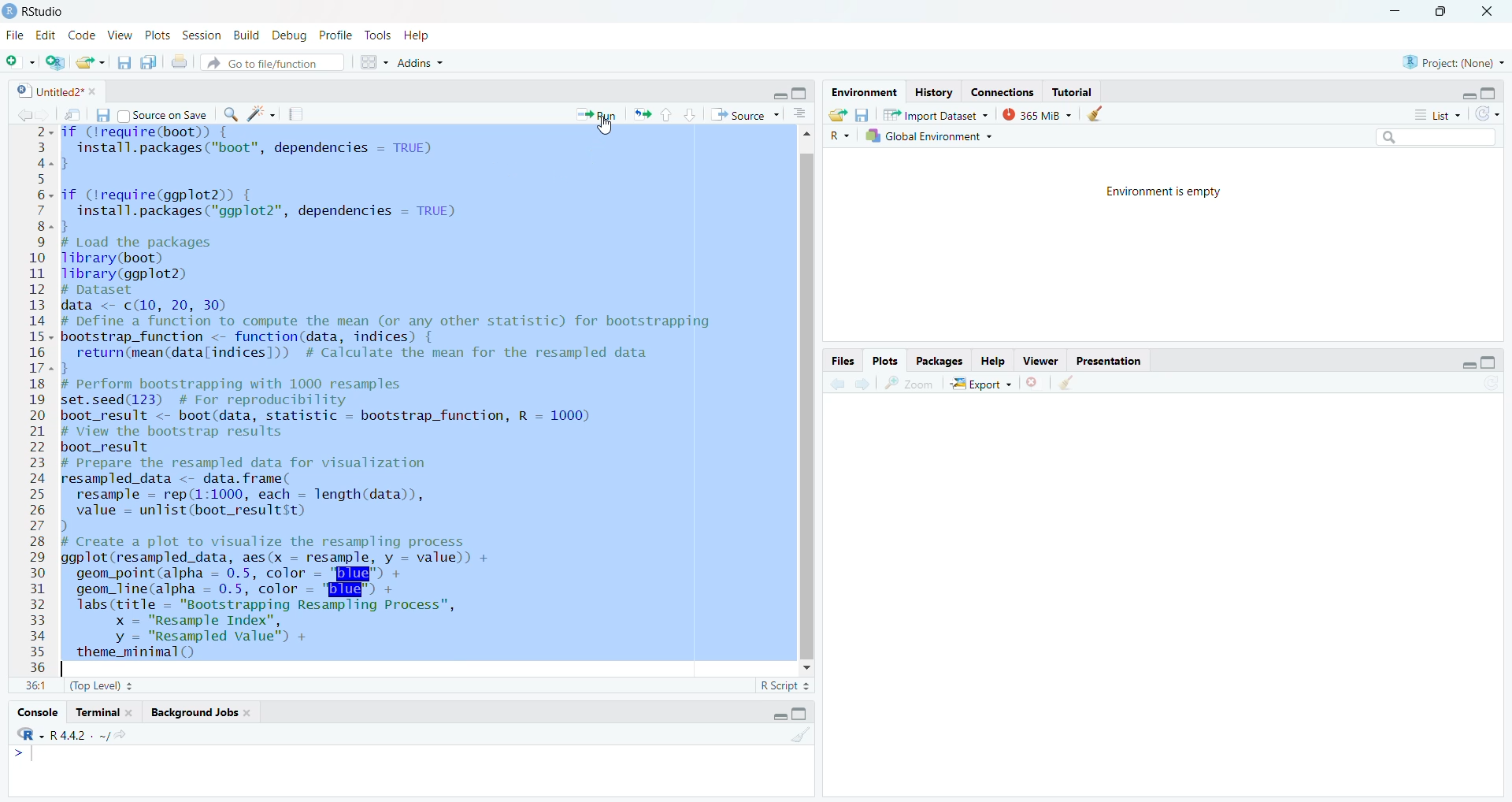 The width and height of the screenshot is (1512, 802). I want to click on Console, so click(36, 713).